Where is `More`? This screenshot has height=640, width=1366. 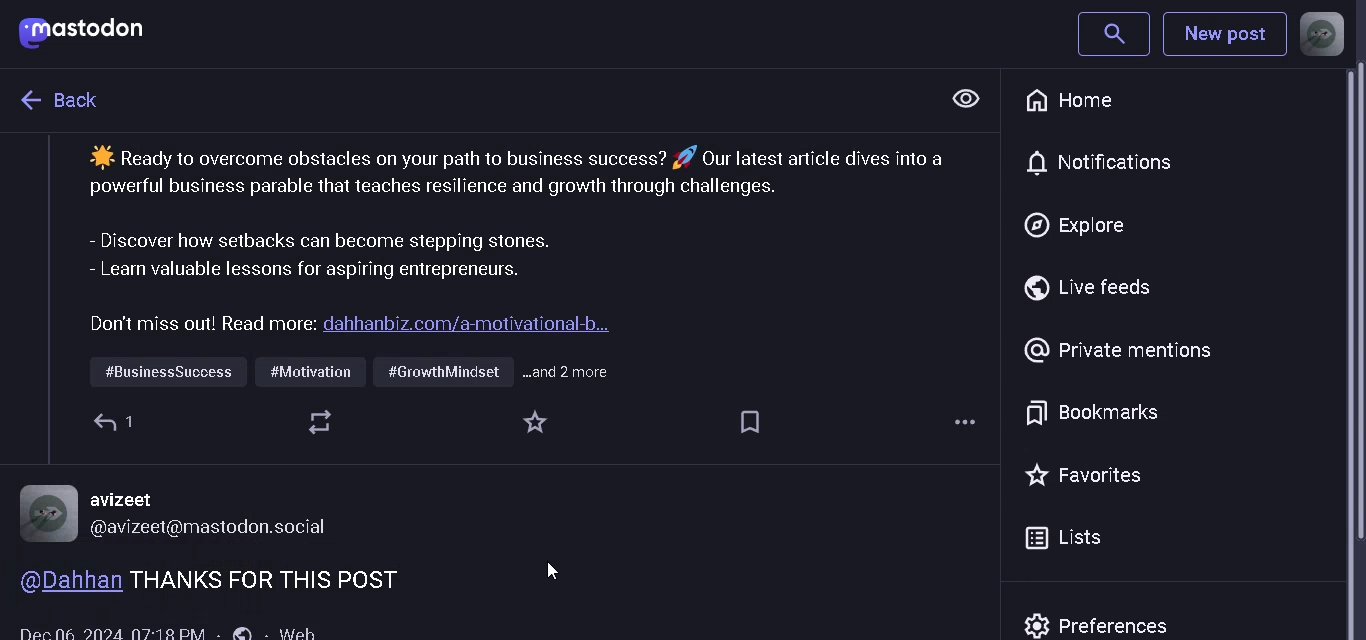
More is located at coordinates (964, 416).